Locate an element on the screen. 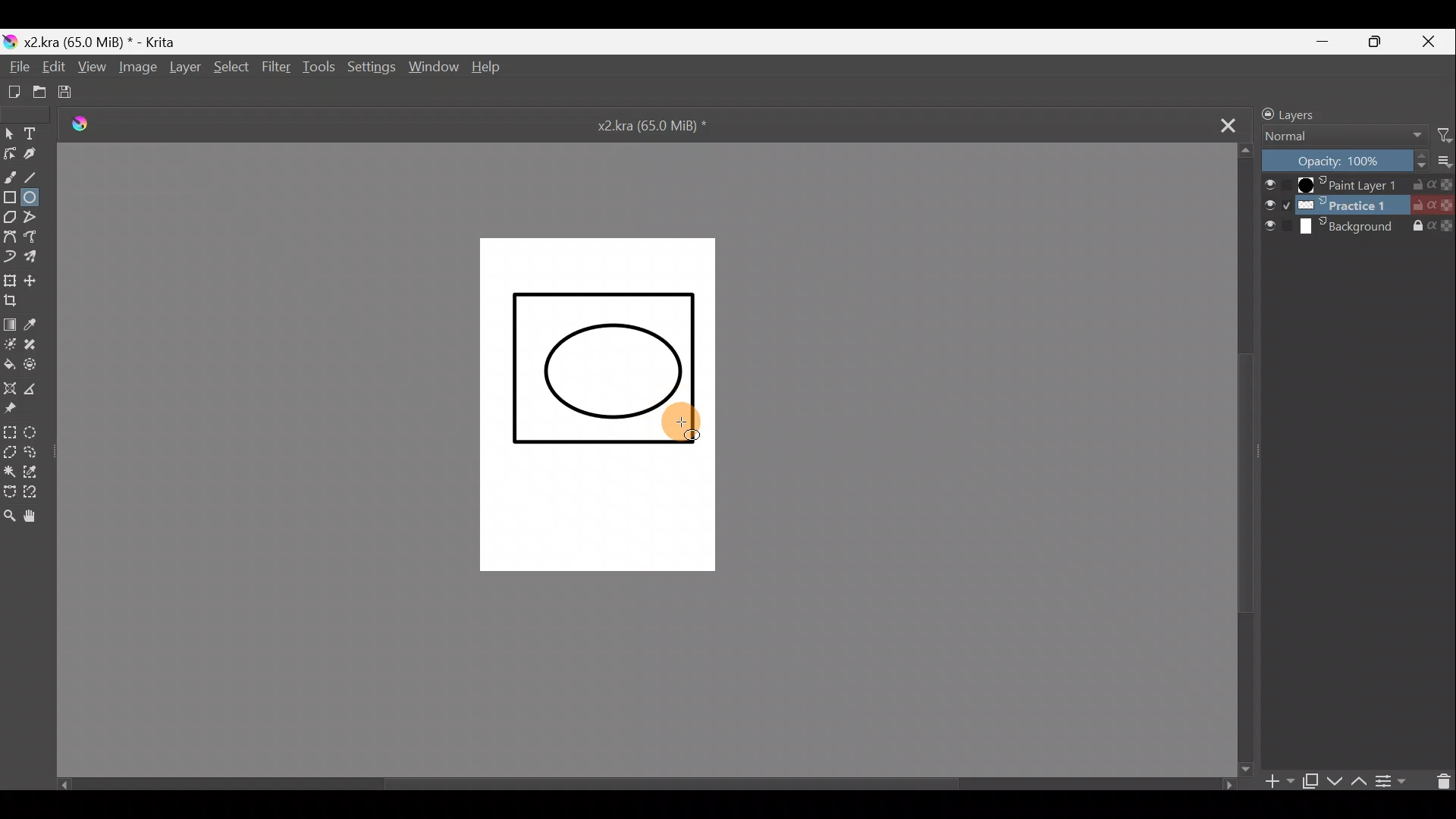 This screenshot has width=1456, height=819. Paint Layer 1 is located at coordinates (1358, 184).